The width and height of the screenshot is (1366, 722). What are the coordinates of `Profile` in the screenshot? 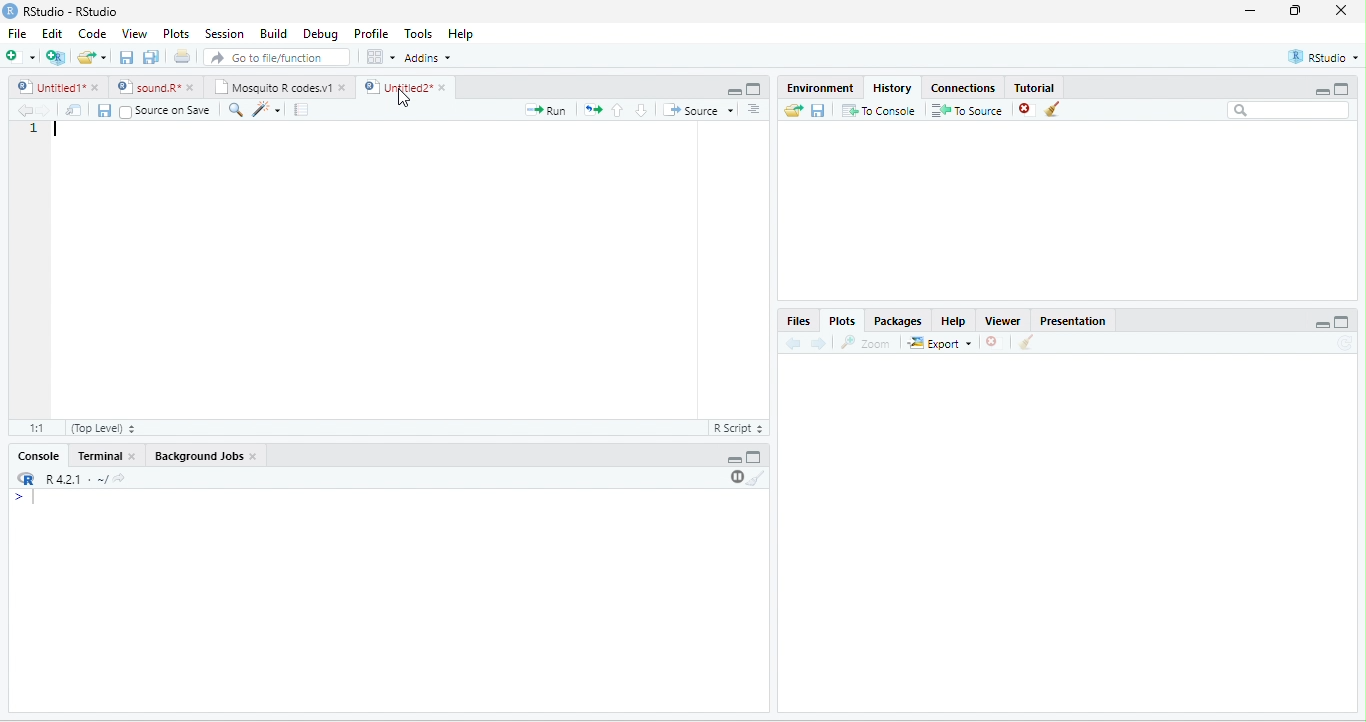 It's located at (373, 34).